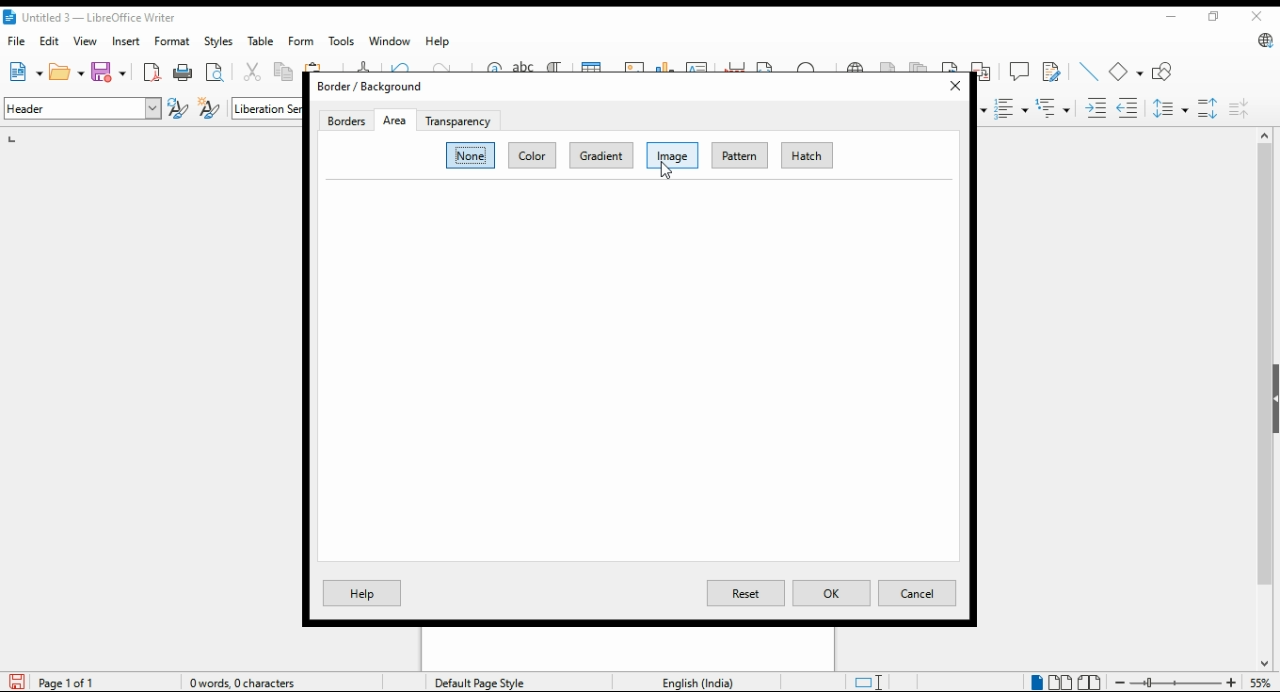 This screenshot has width=1280, height=692. I want to click on undo, so click(406, 66).